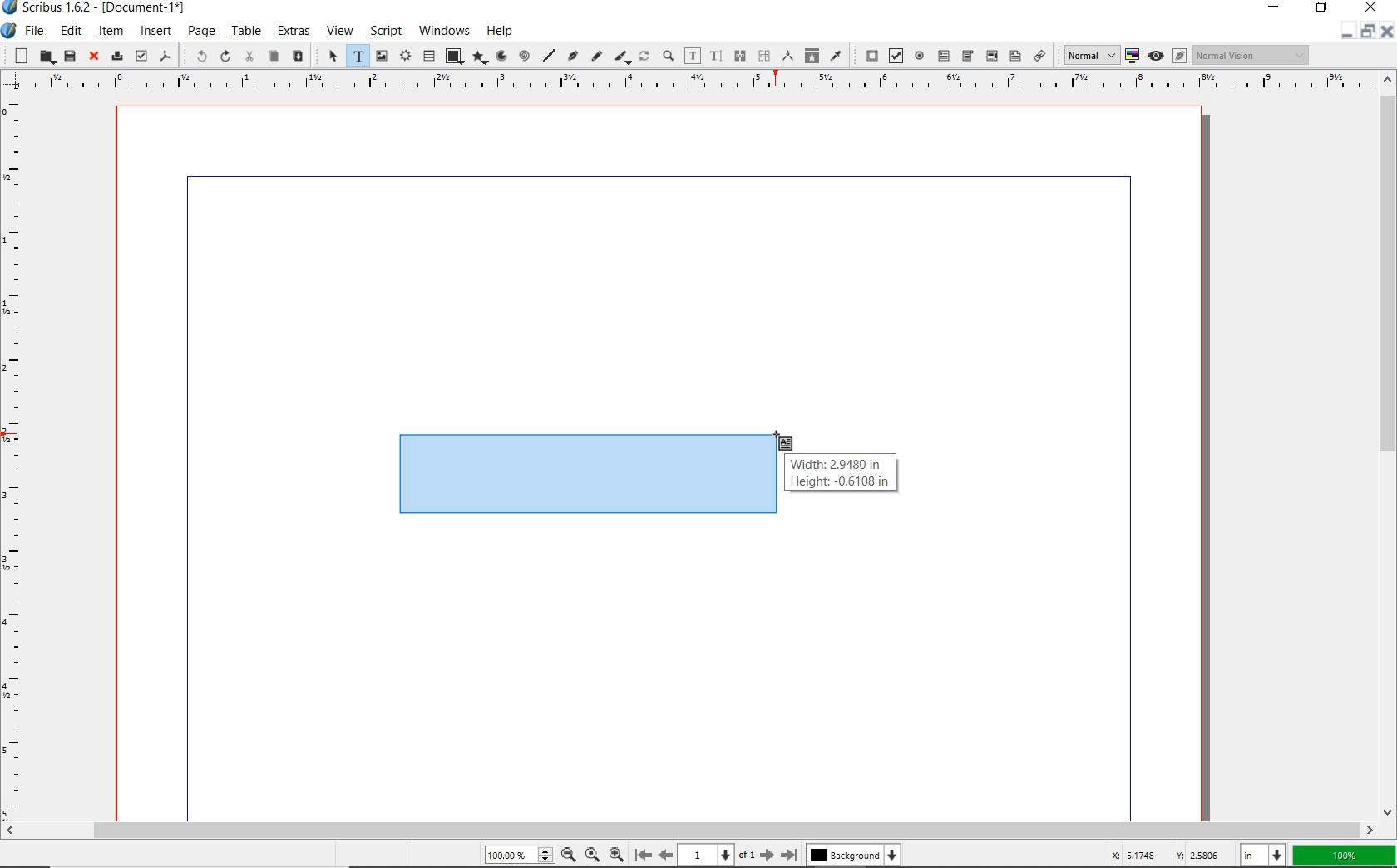  Describe the element at coordinates (920, 57) in the screenshot. I see `pdf radio button` at that location.